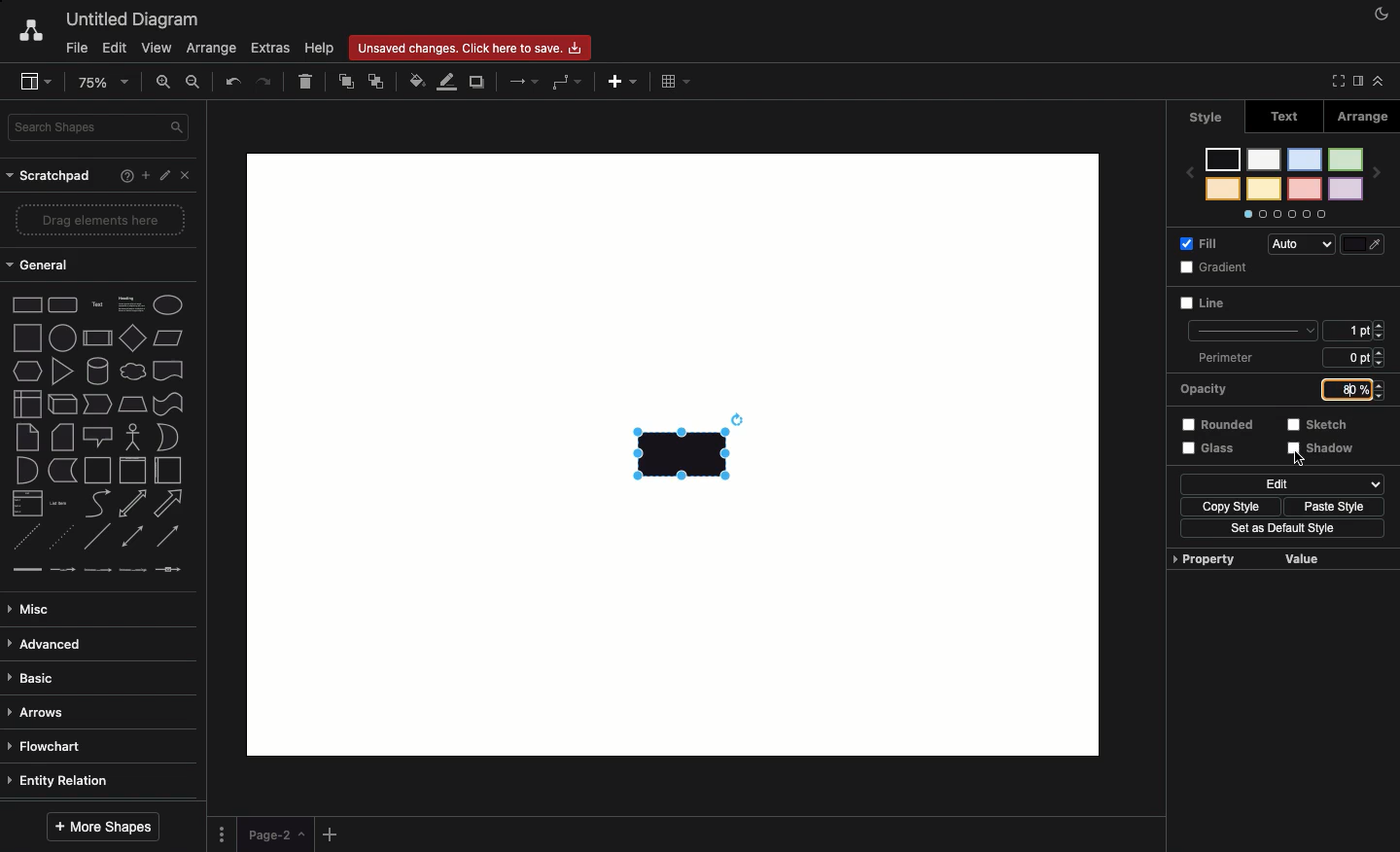  I want to click on dotted line, so click(61, 538).